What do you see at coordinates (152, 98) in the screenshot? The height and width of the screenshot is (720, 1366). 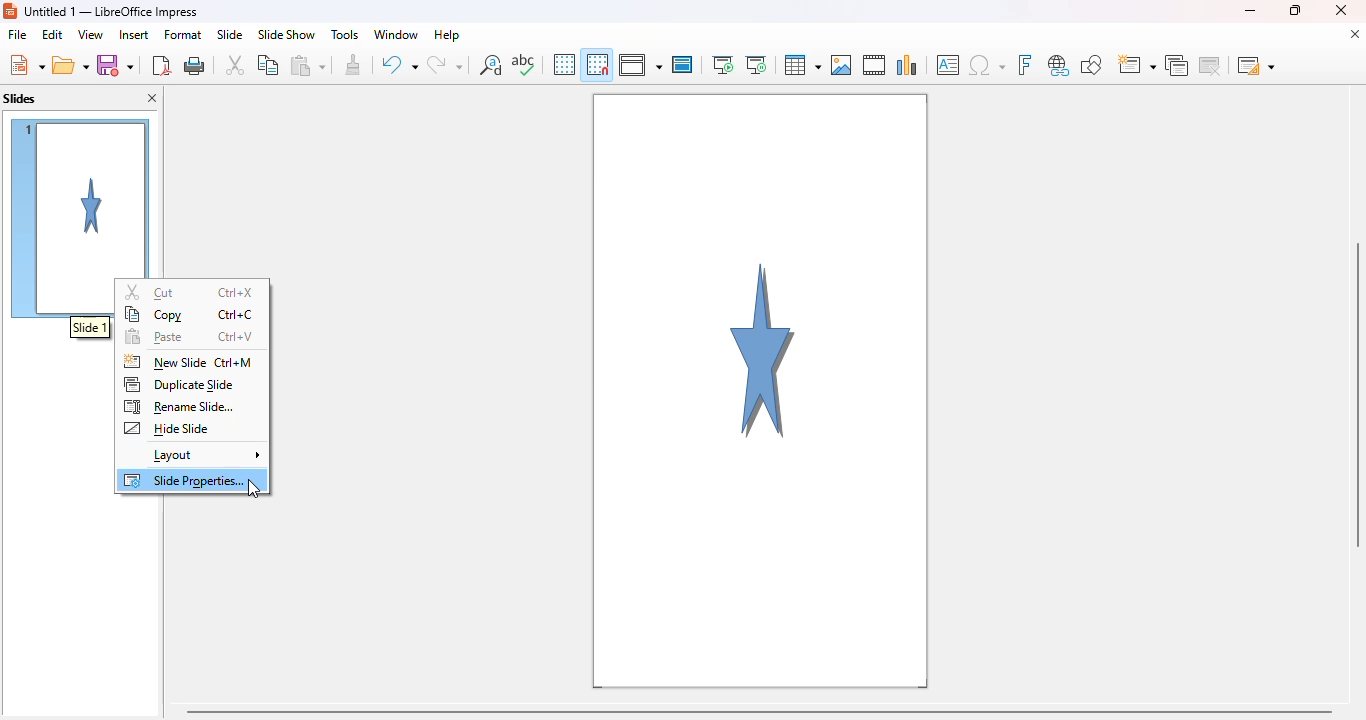 I see `close pane` at bounding box center [152, 98].